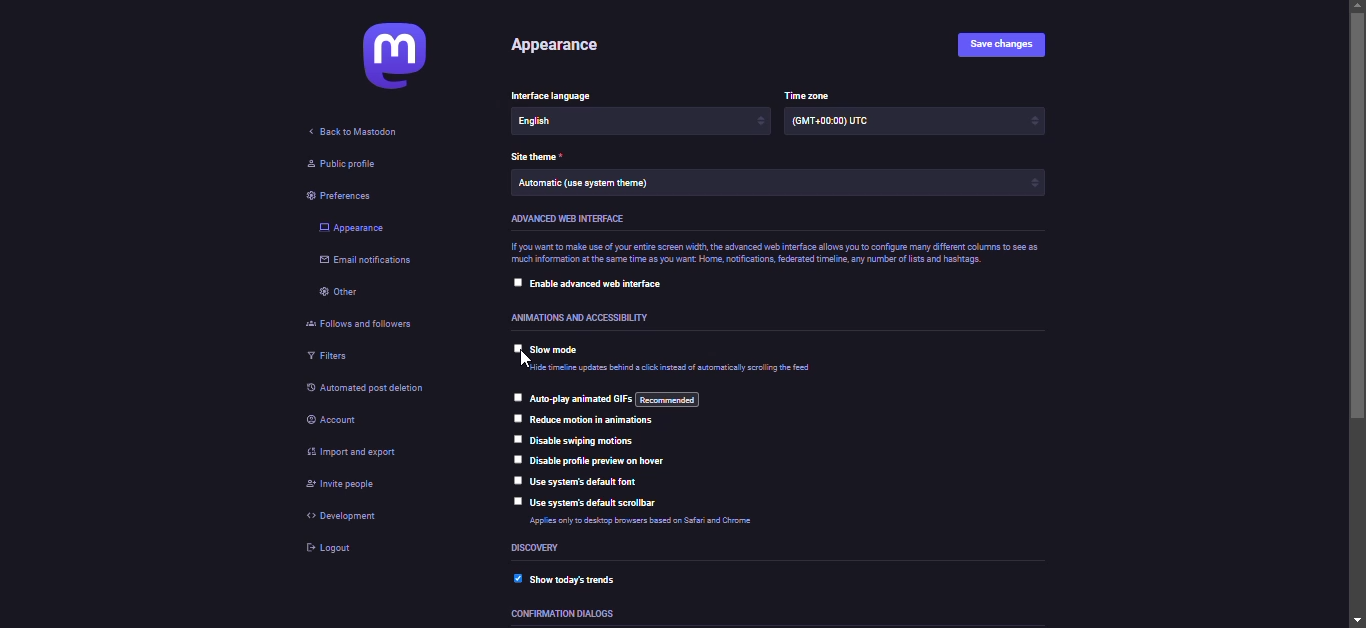 This screenshot has width=1366, height=628. I want to click on automated post deletion, so click(371, 388).